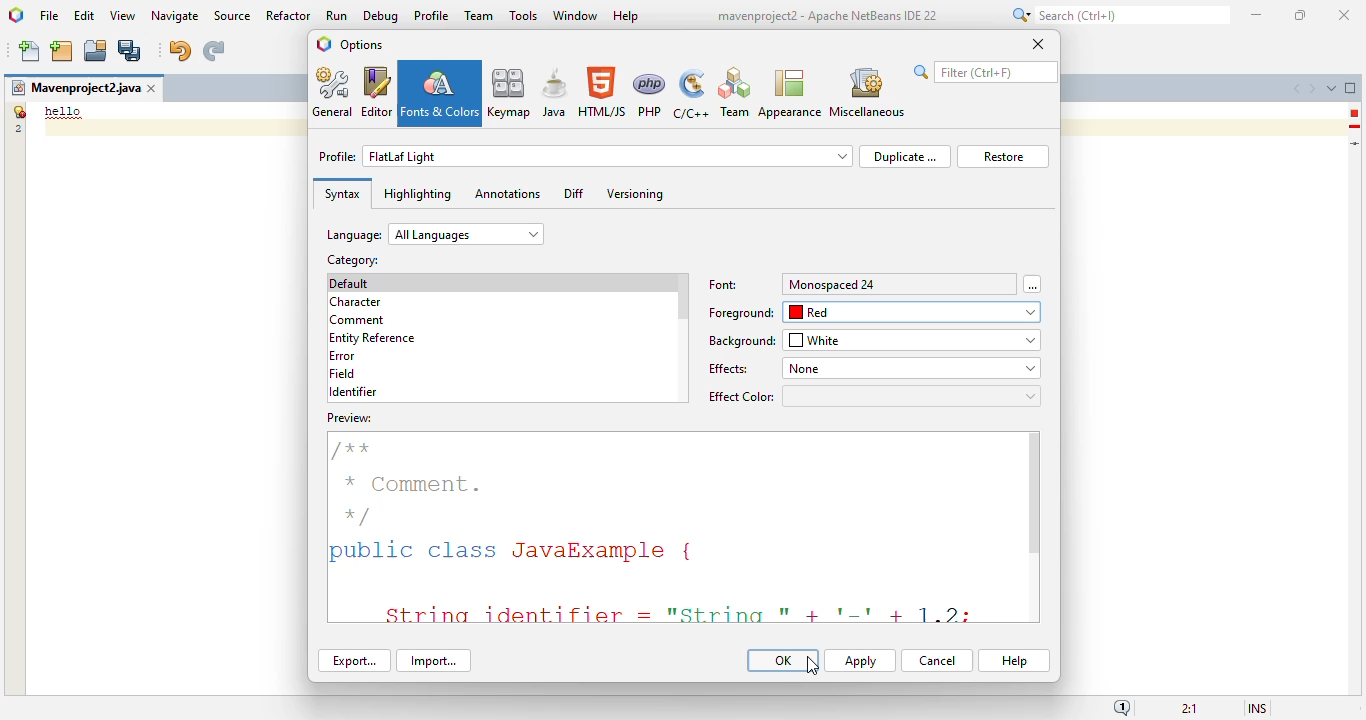  What do you see at coordinates (910, 368) in the screenshot?
I see `none` at bounding box center [910, 368].